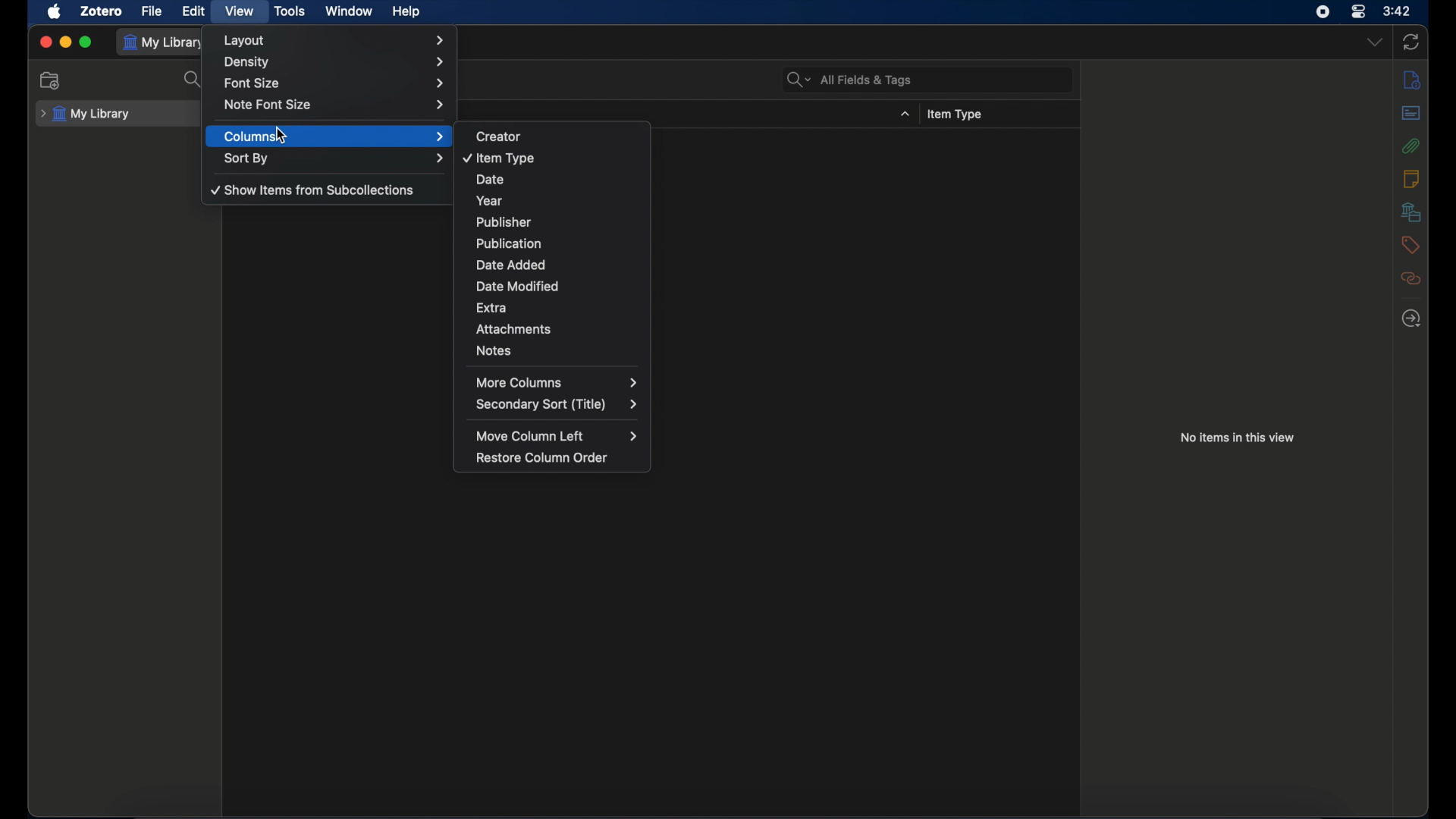 The height and width of the screenshot is (819, 1456). I want to click on font size, so click(335, 83).